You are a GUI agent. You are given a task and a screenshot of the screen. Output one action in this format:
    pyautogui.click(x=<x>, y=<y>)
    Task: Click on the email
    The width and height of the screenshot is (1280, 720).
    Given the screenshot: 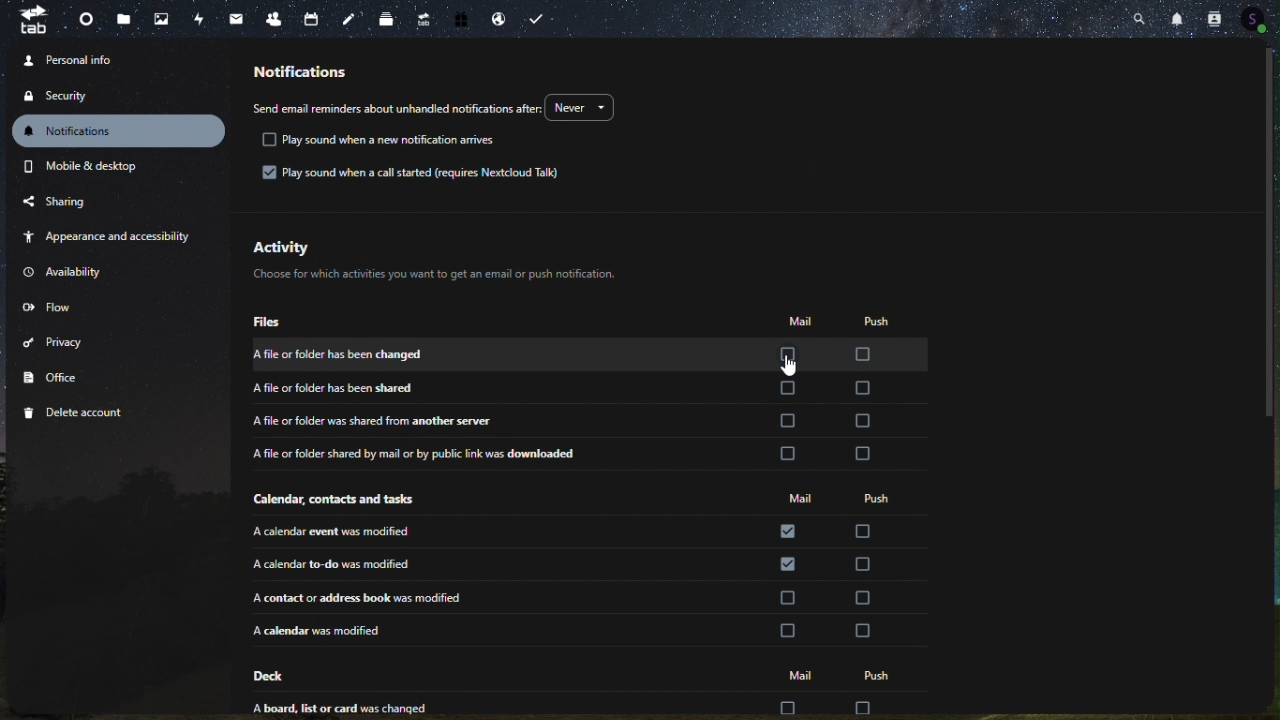 What is the action you would take?
    pyautogui.click(x=234, y=17)
    